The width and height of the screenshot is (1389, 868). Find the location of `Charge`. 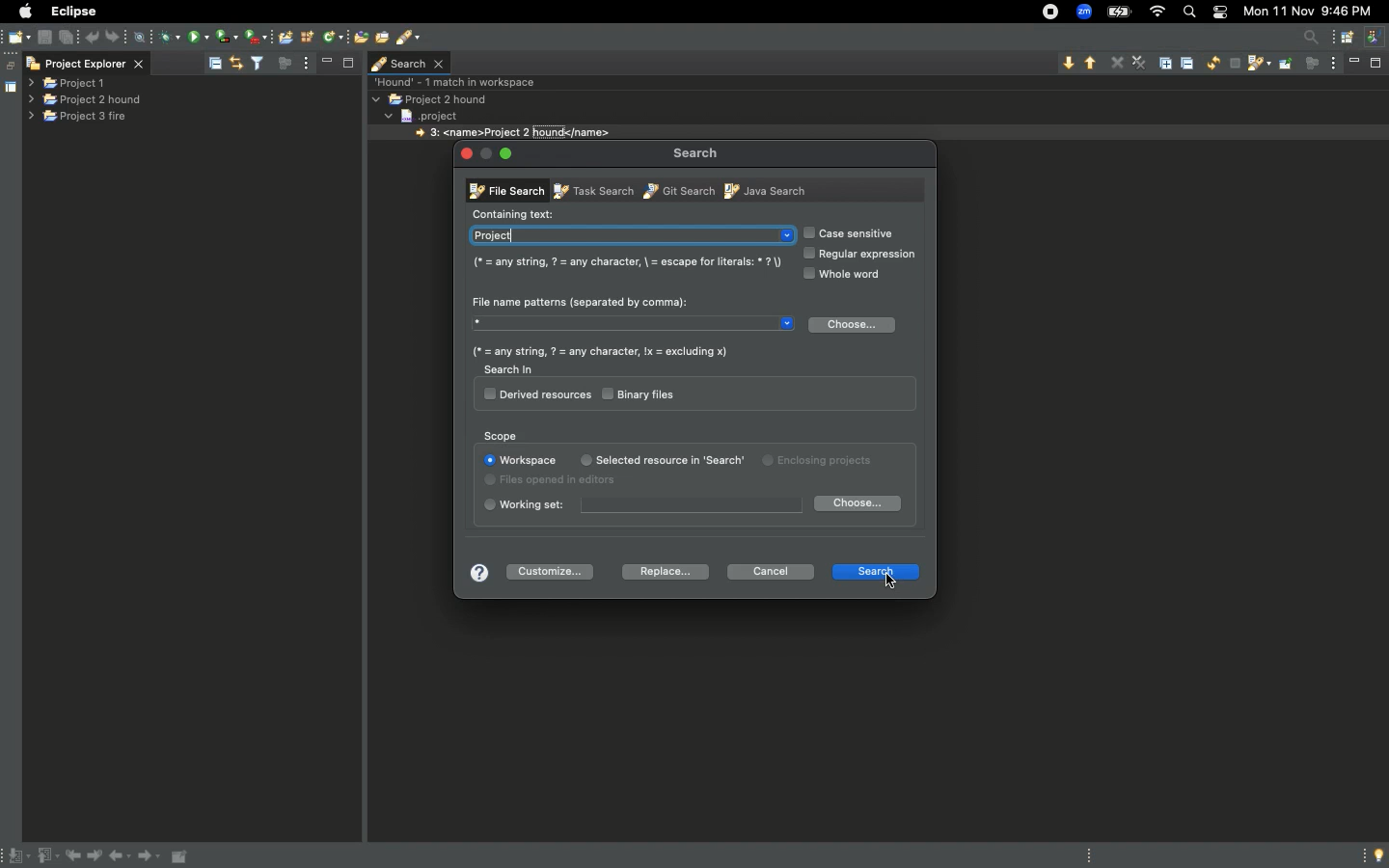

Charge is located at coordinates (1118, 12).